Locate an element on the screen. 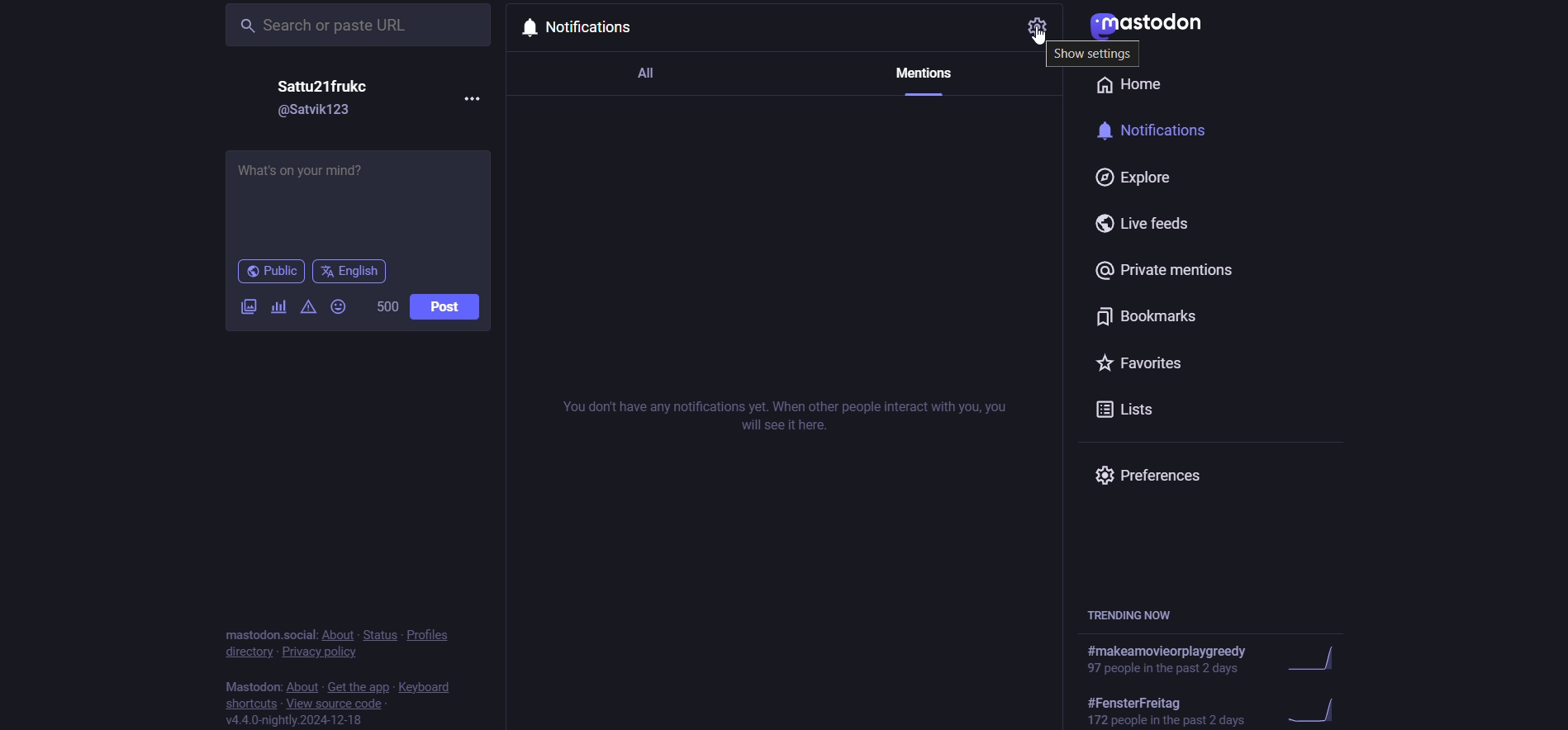 The height and width of the screenshot is (730, 1568). trending graph is located at coordinates (1310, 711).